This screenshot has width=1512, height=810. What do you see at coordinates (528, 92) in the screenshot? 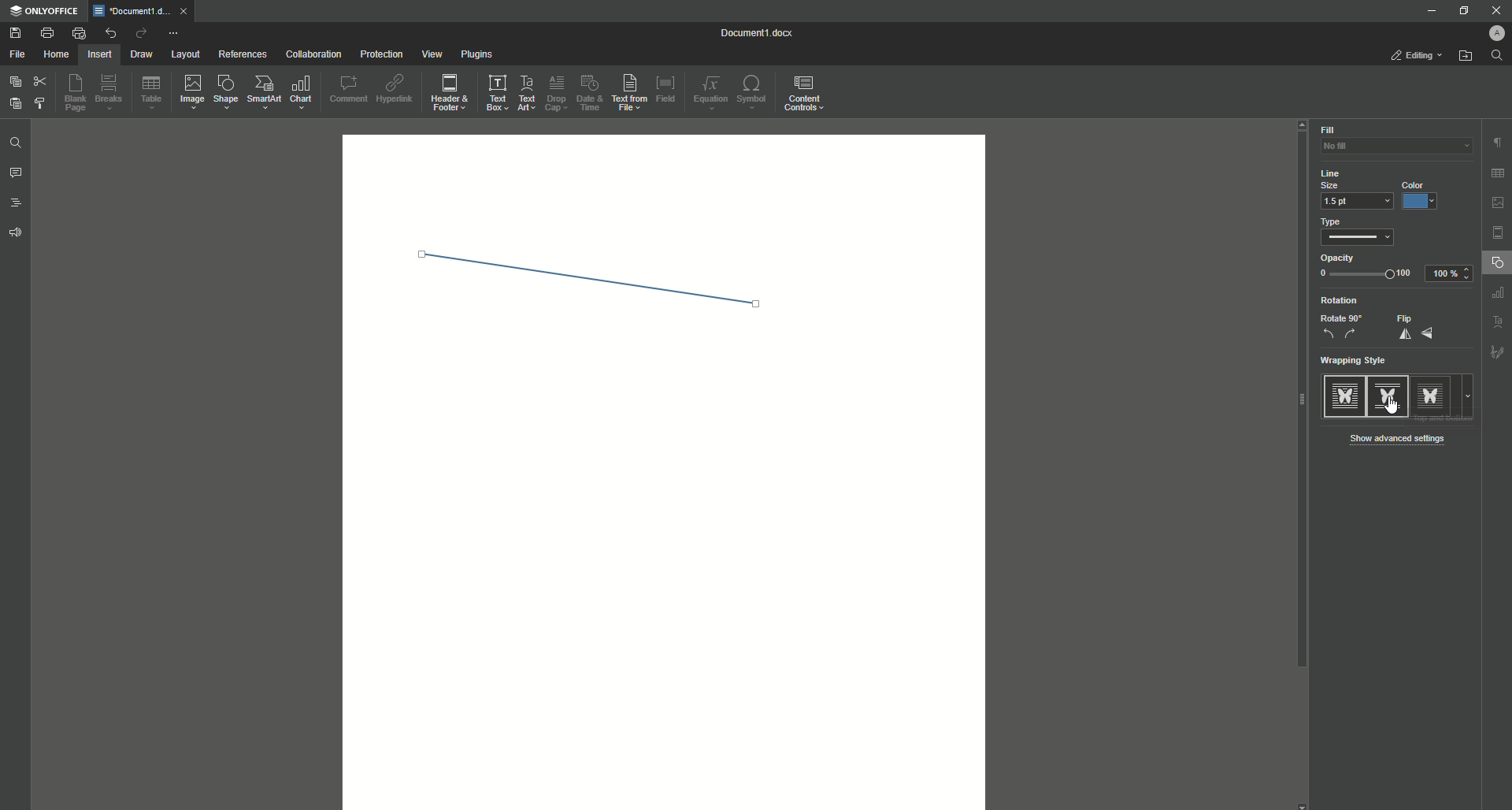
I see `Text Art` at bounding box center [528, 92].